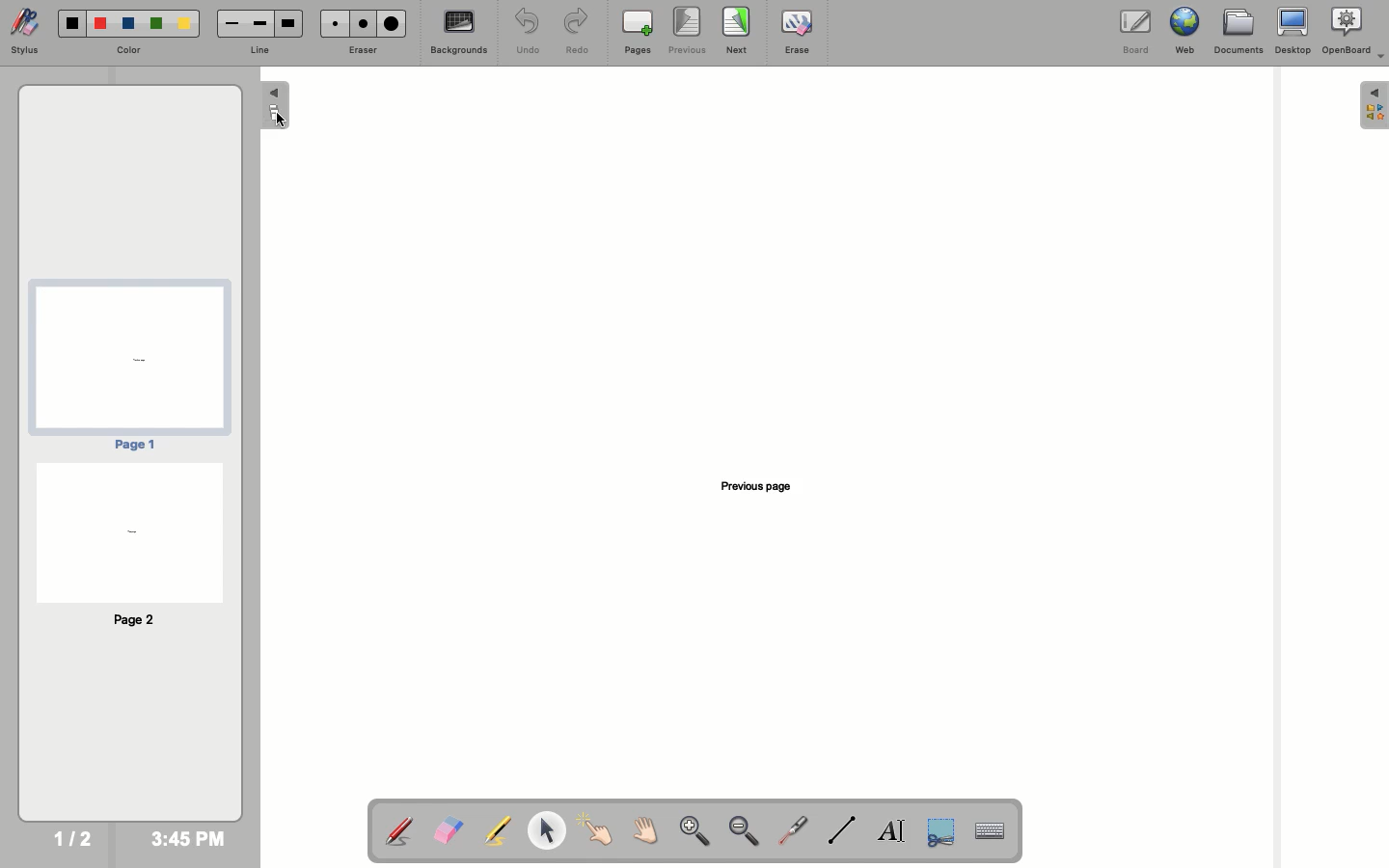 The height and width of the screenshot is (868, 1389). What do you see at coordinates (594, 829) in the screenshot?
I see `Interact with items` at bounding box center [594, 829].